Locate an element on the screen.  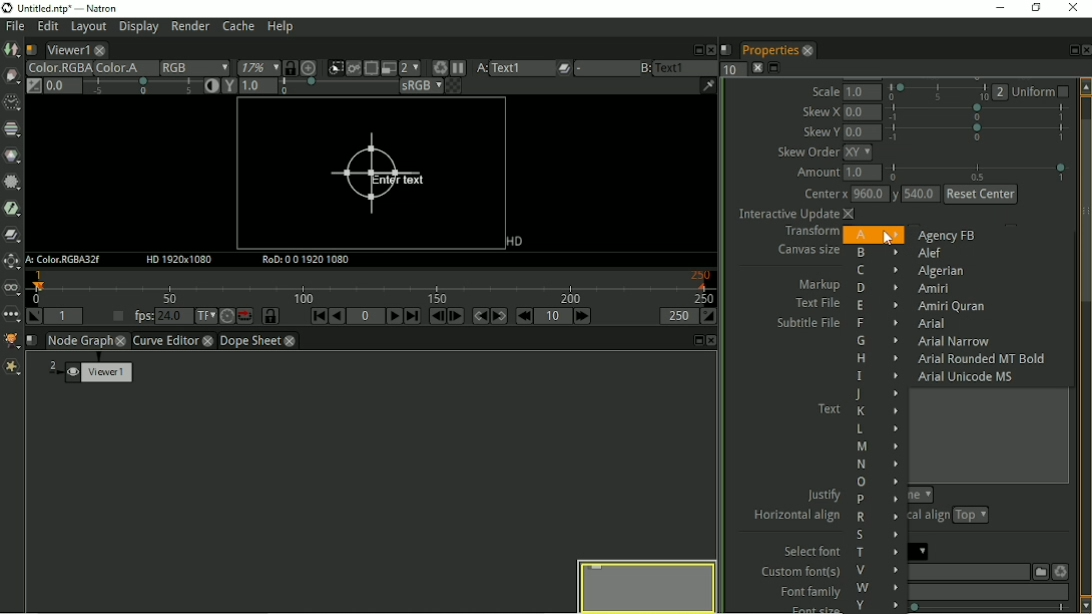
1.0 is located at coordinates (863, 174).